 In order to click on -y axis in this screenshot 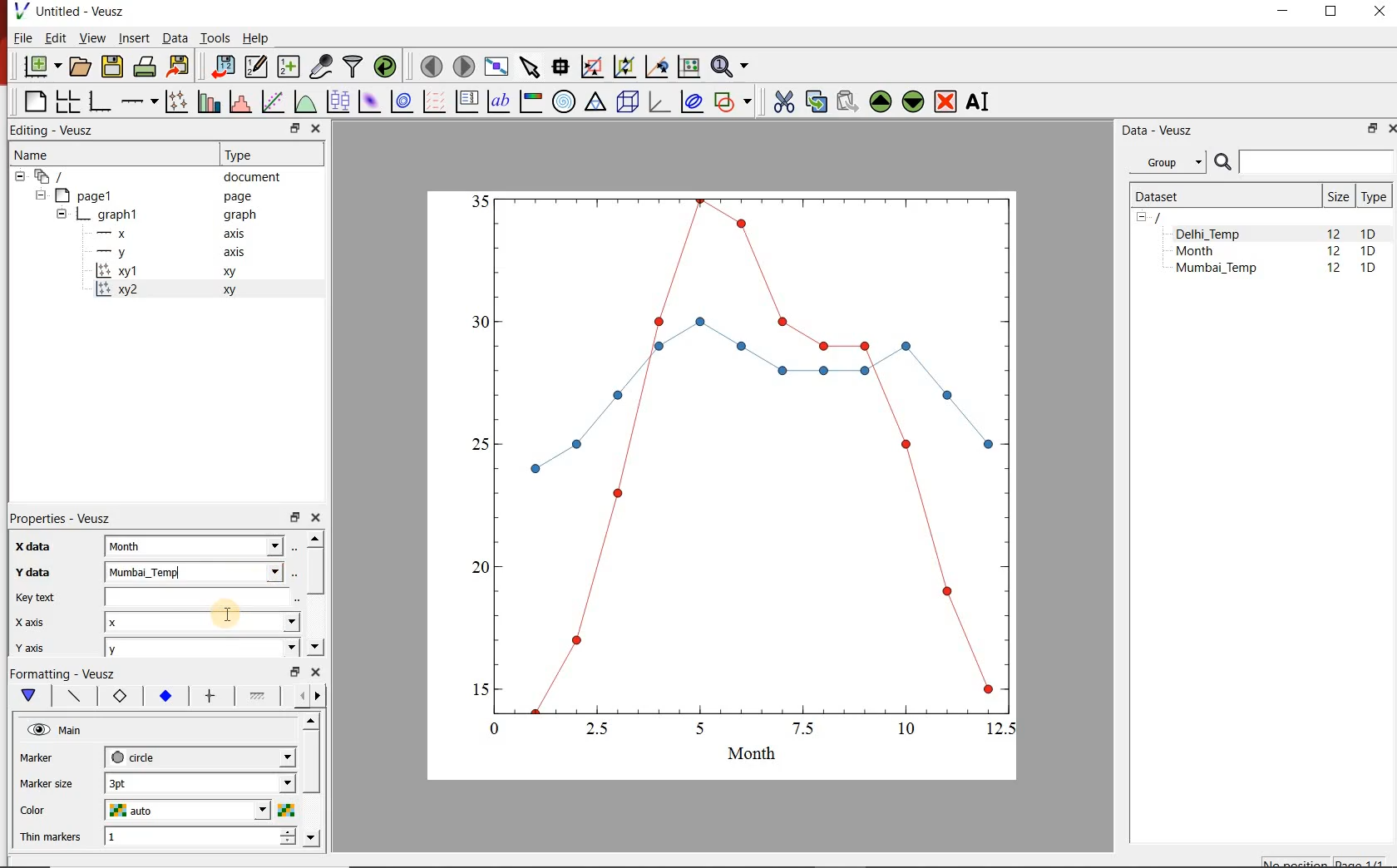, I will do `click(164, 254)`.